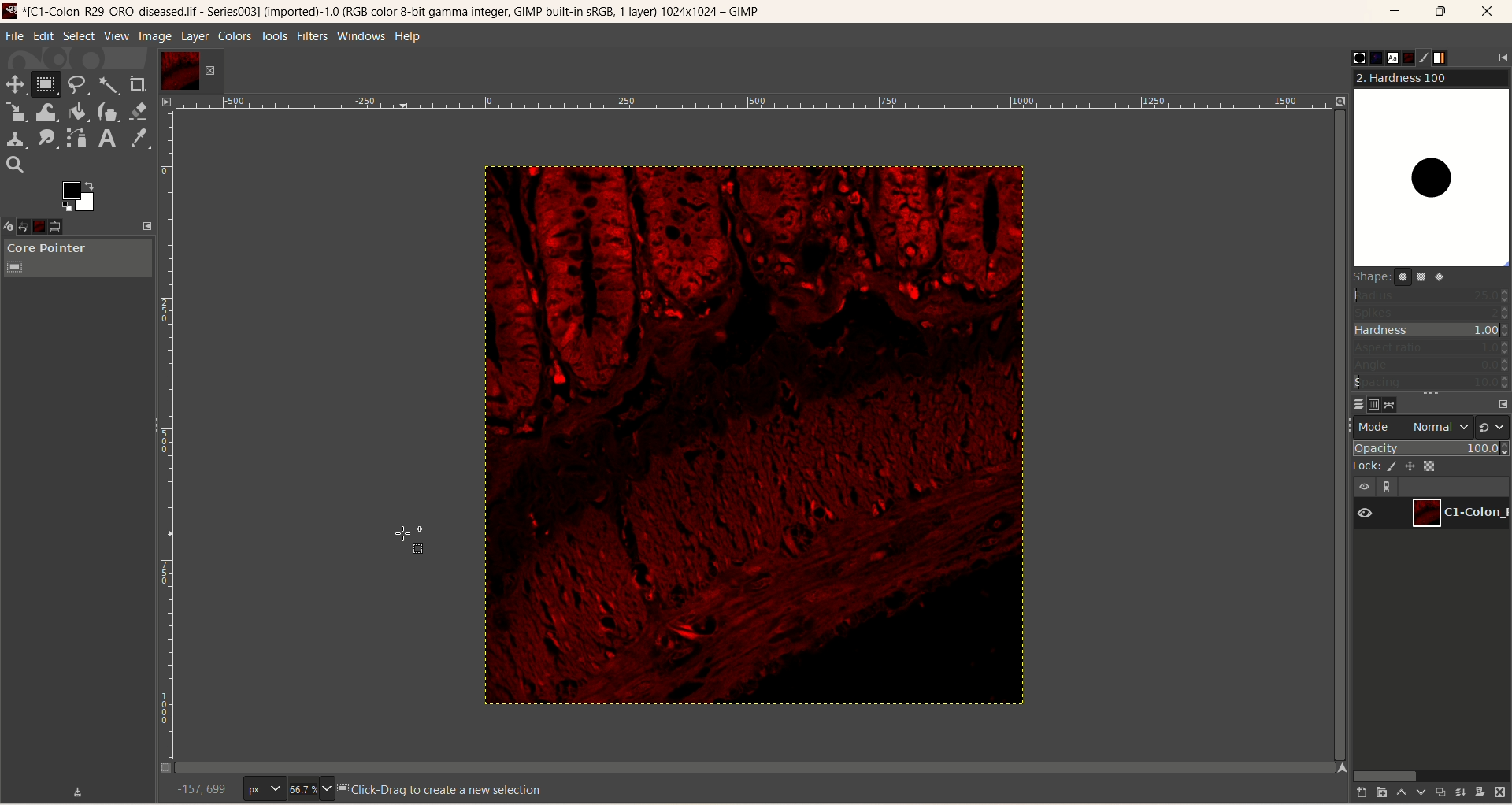 This screenshot has width=1512, height=805. Describe the element at coordinates (44, 35) in the screenshot. I see `edit` at that location.